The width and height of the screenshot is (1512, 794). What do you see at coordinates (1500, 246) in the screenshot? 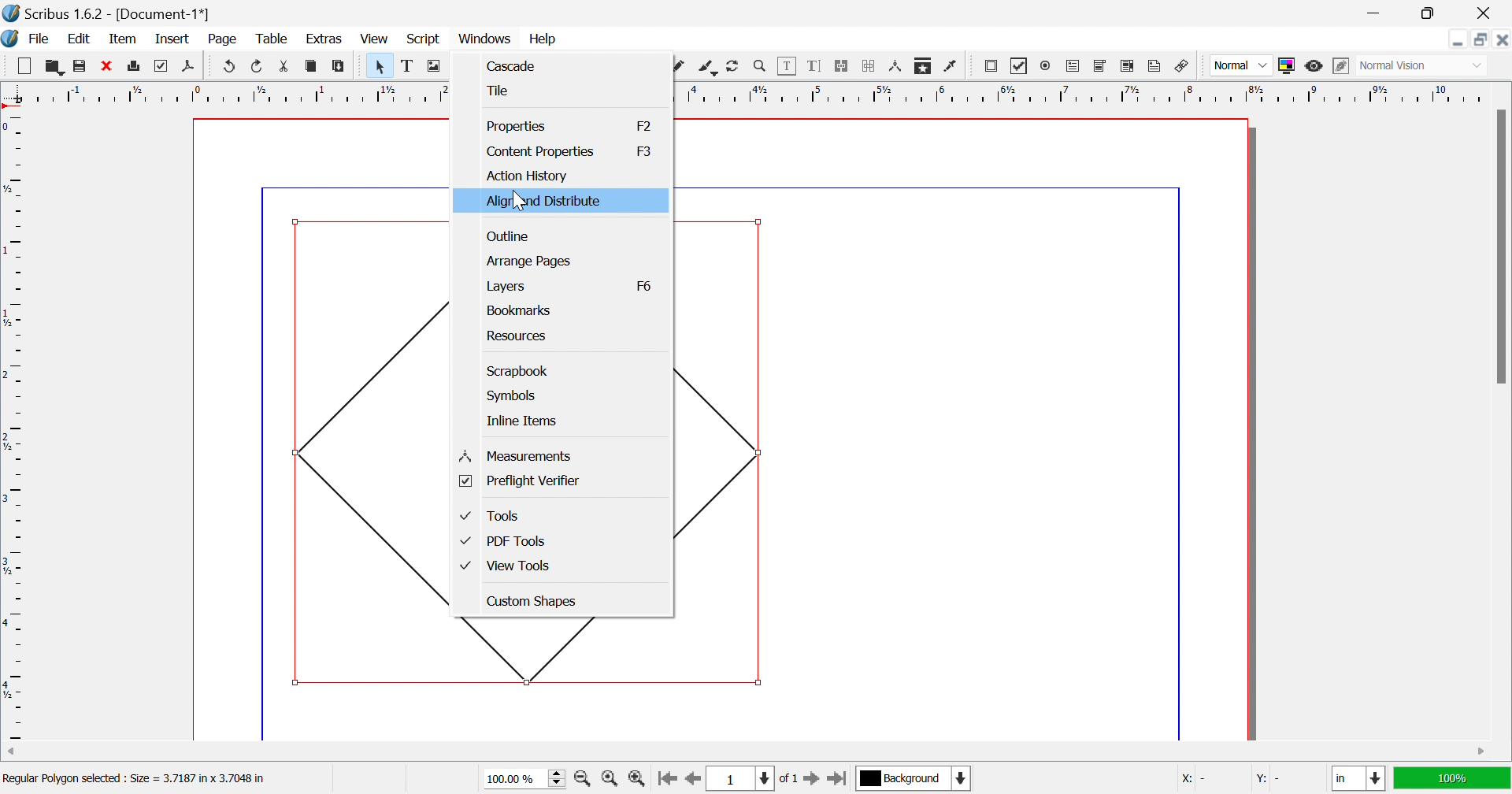
I see `Scroll bar` at bounding box center [1500, 246].